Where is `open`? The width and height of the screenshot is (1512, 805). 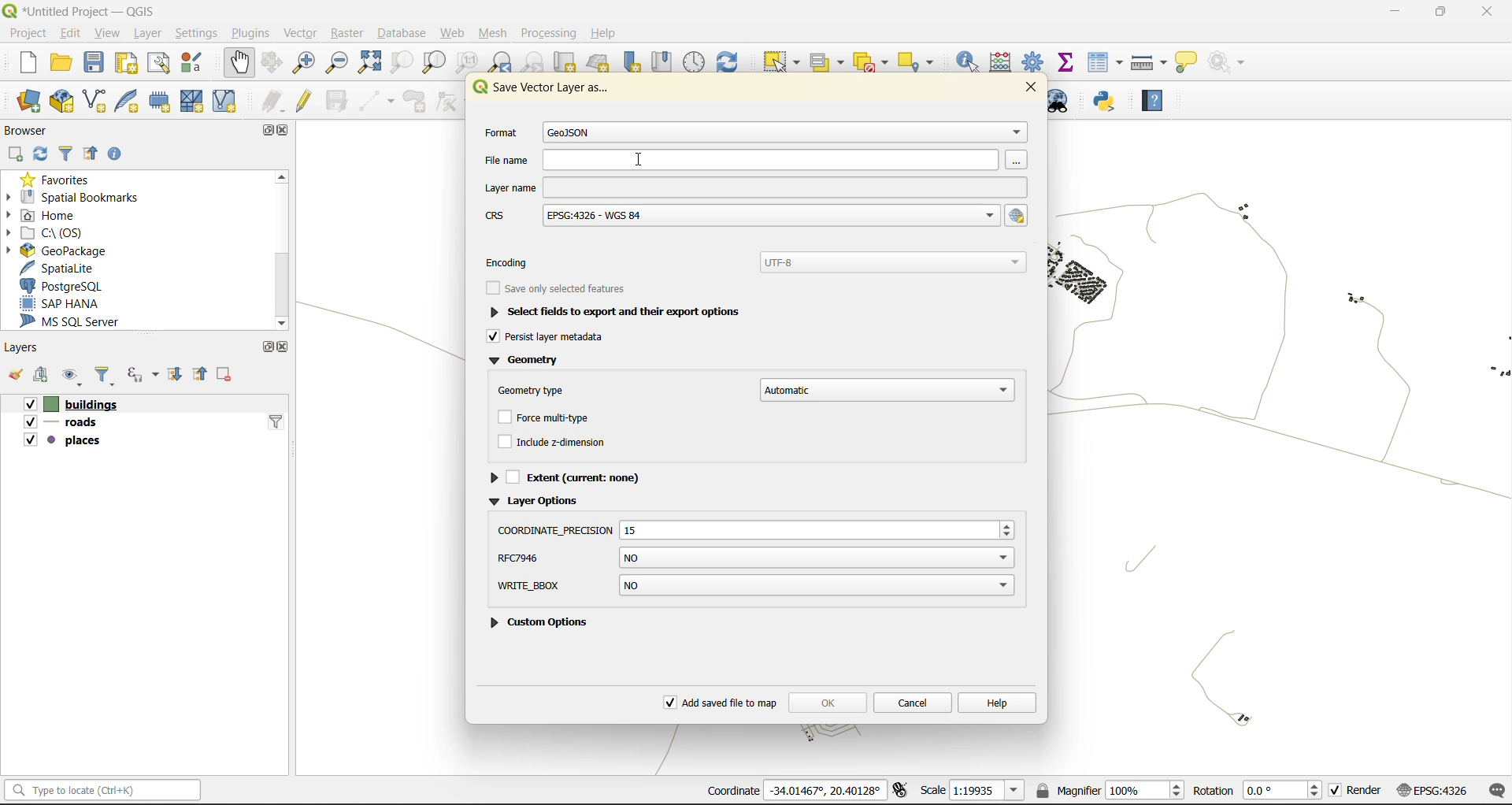
open is located at coordinates (58, 62).